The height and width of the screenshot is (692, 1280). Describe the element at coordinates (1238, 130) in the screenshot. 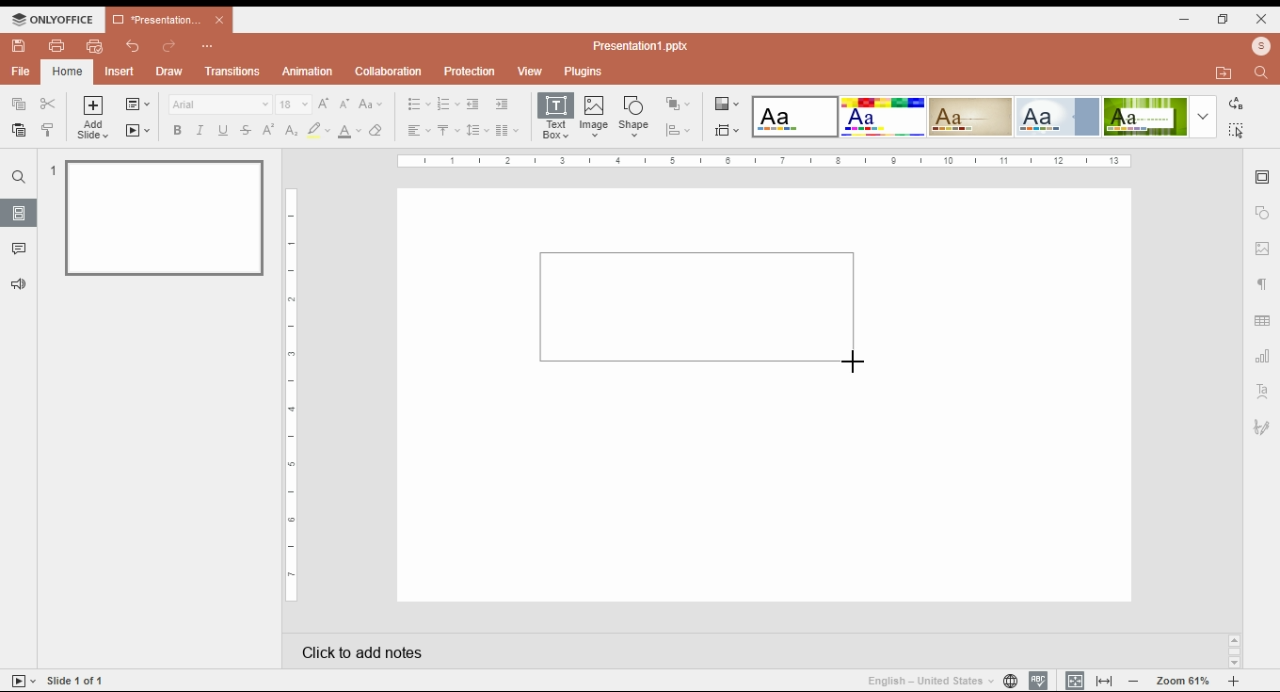

I see `find` at that location.